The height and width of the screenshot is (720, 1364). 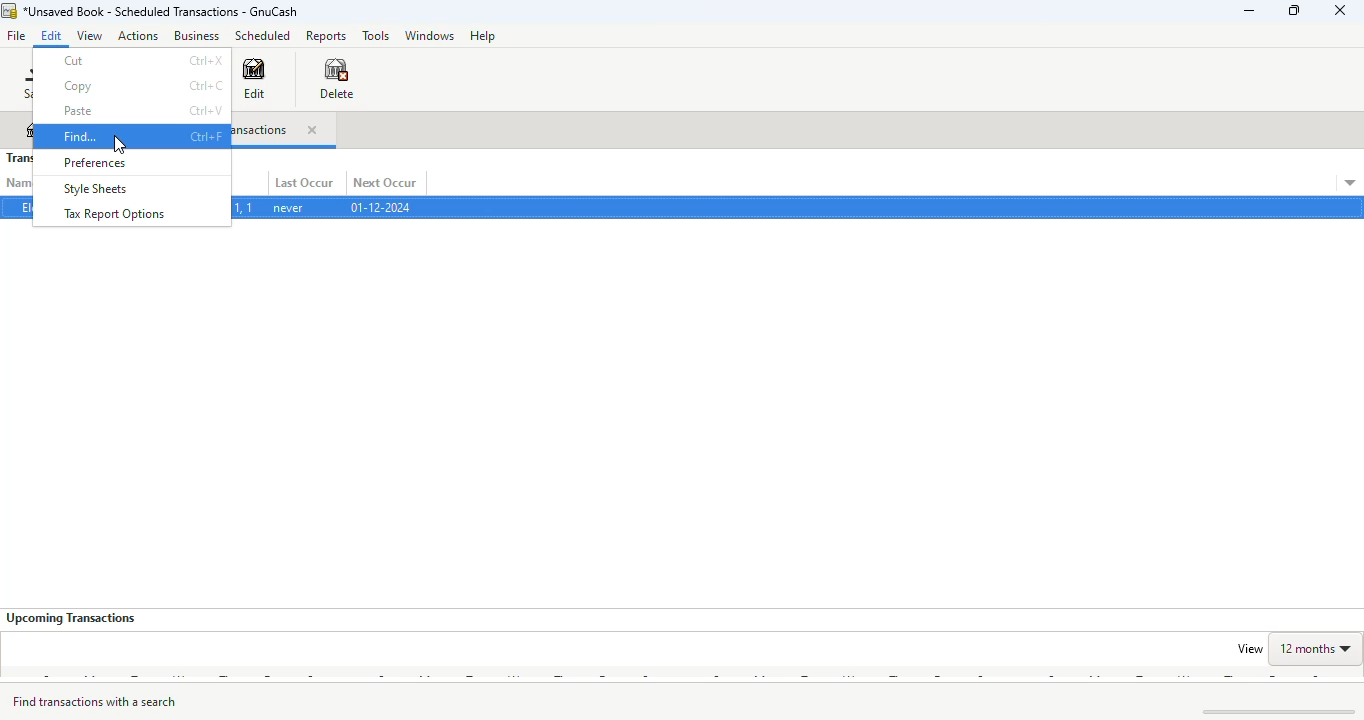 What do you see at coordinates (1293, 10) in the screenshot?
I see `maximize` at bounding box center [1293, 10].